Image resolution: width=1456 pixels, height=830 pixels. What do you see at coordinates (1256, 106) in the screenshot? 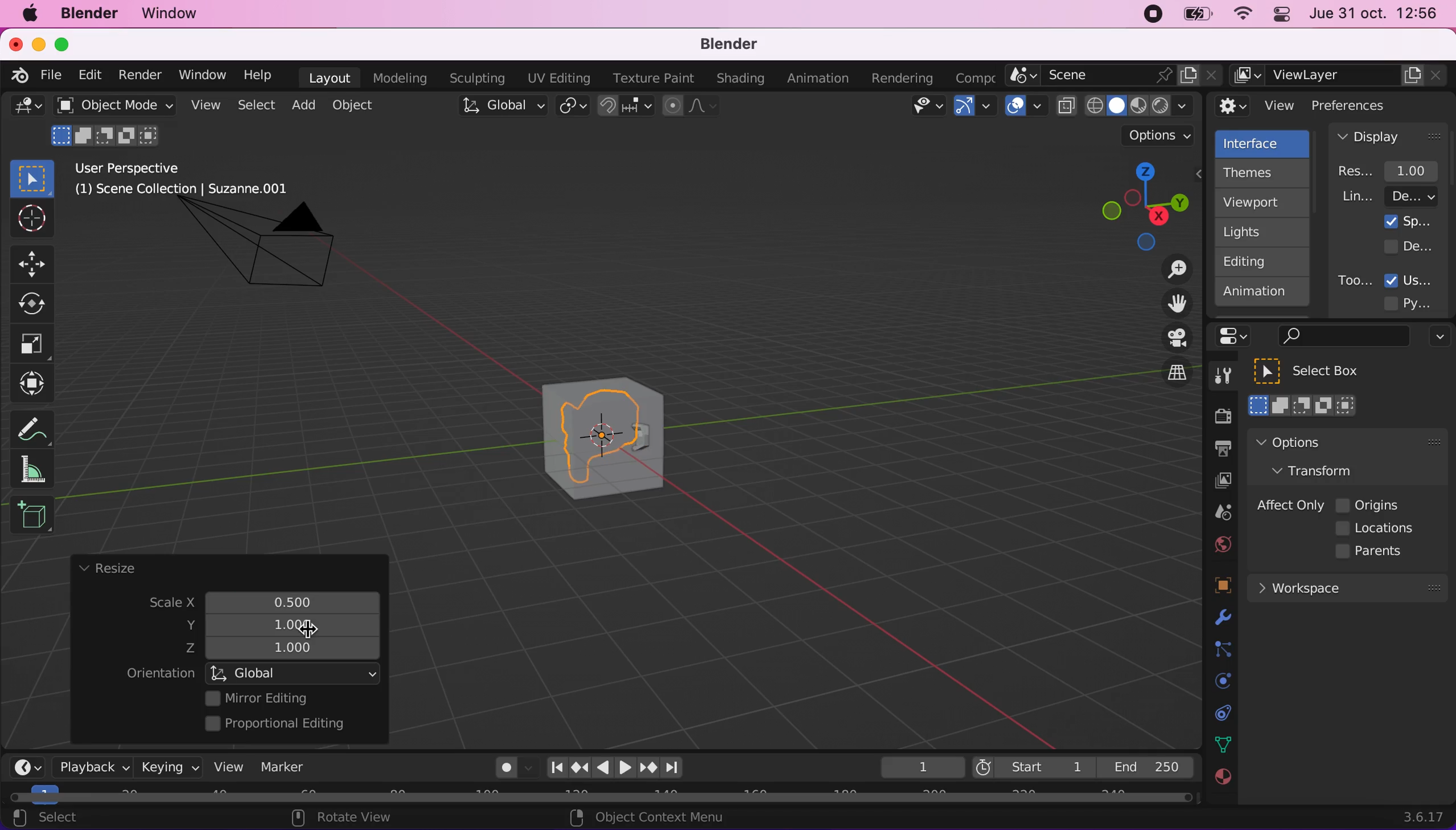
I see `view` at bounding box center [1256, 106].